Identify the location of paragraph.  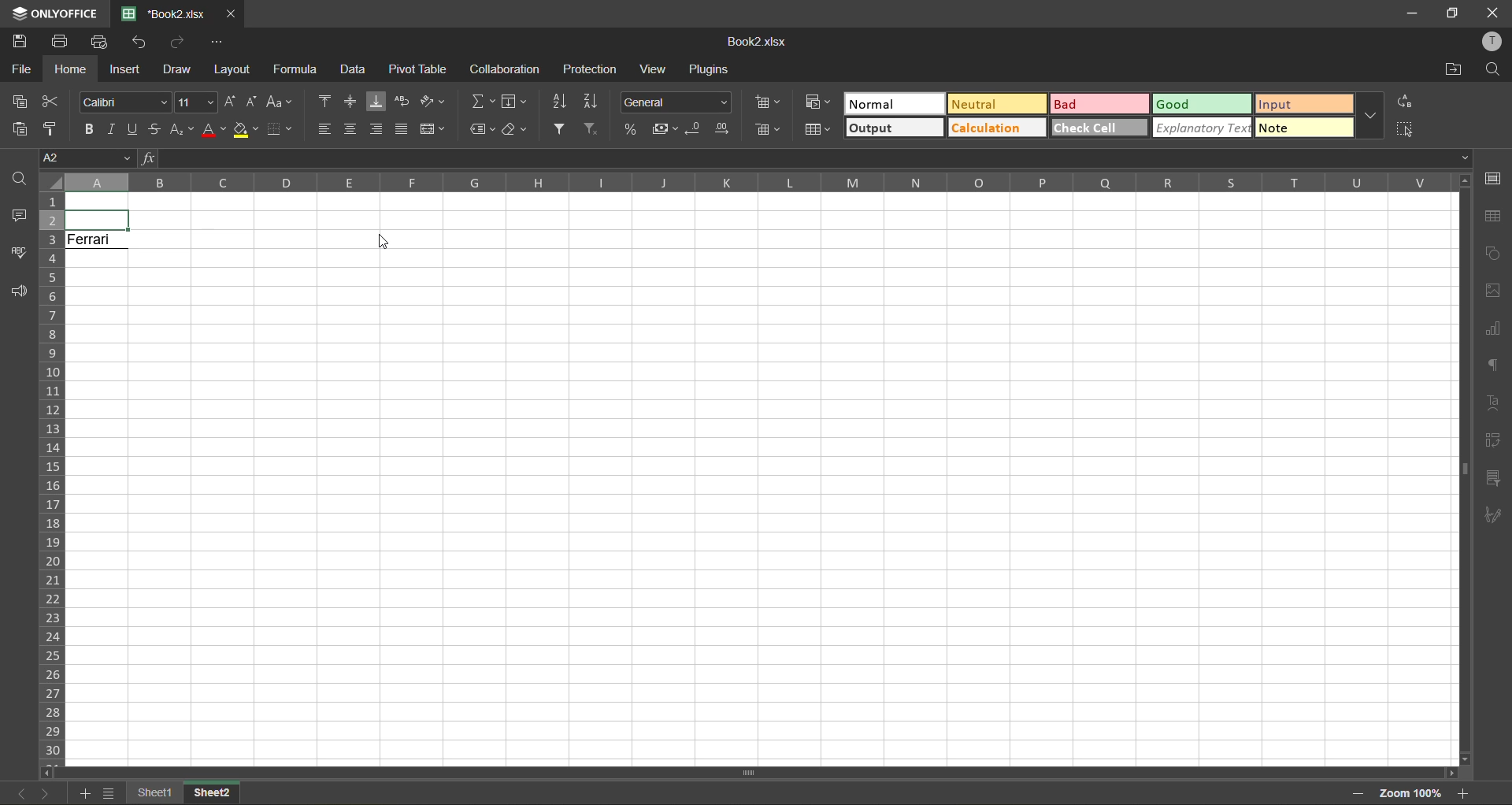
(1493, 365).